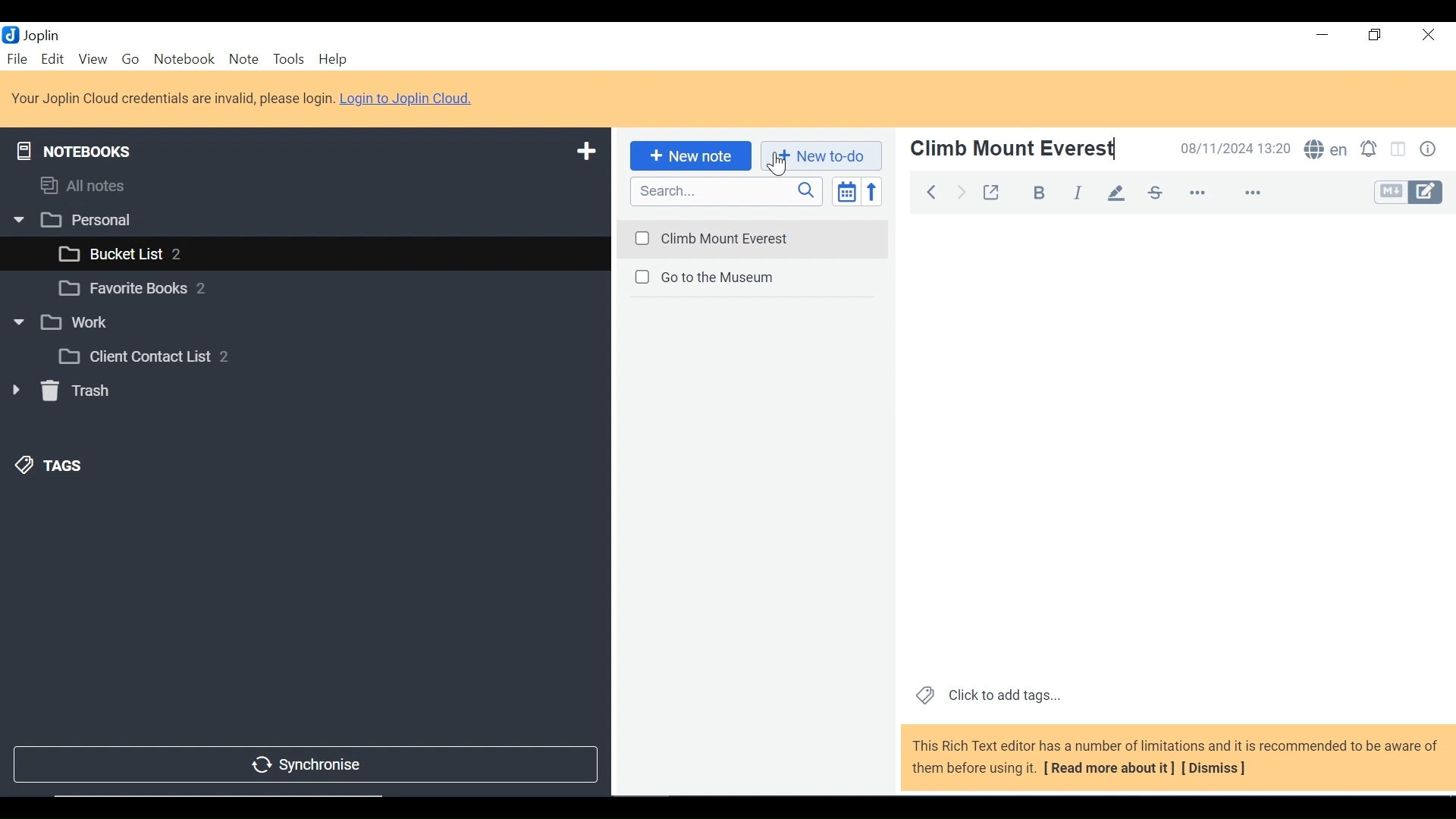  I want to click on Note View, so click(1176, 444).